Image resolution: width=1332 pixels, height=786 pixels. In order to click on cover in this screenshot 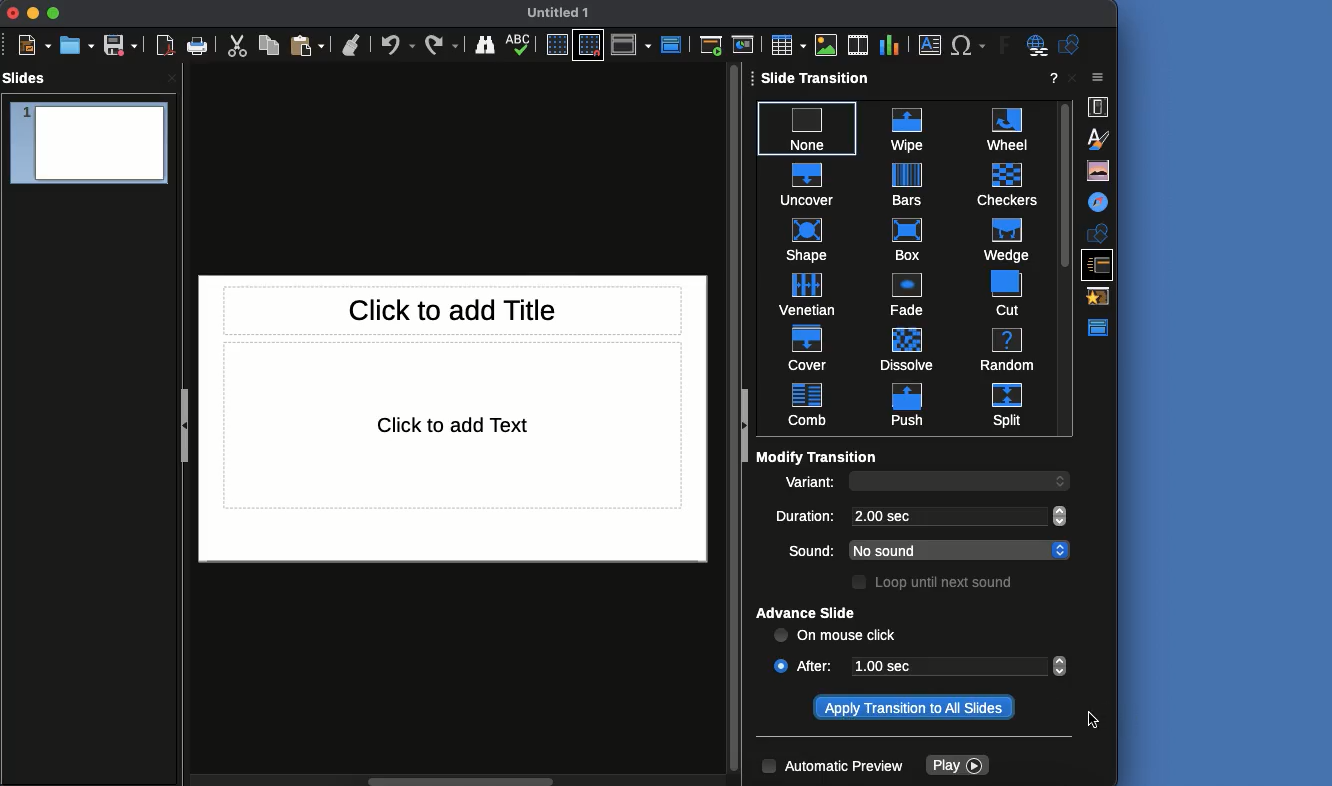, I will do `click(809, 346)`.